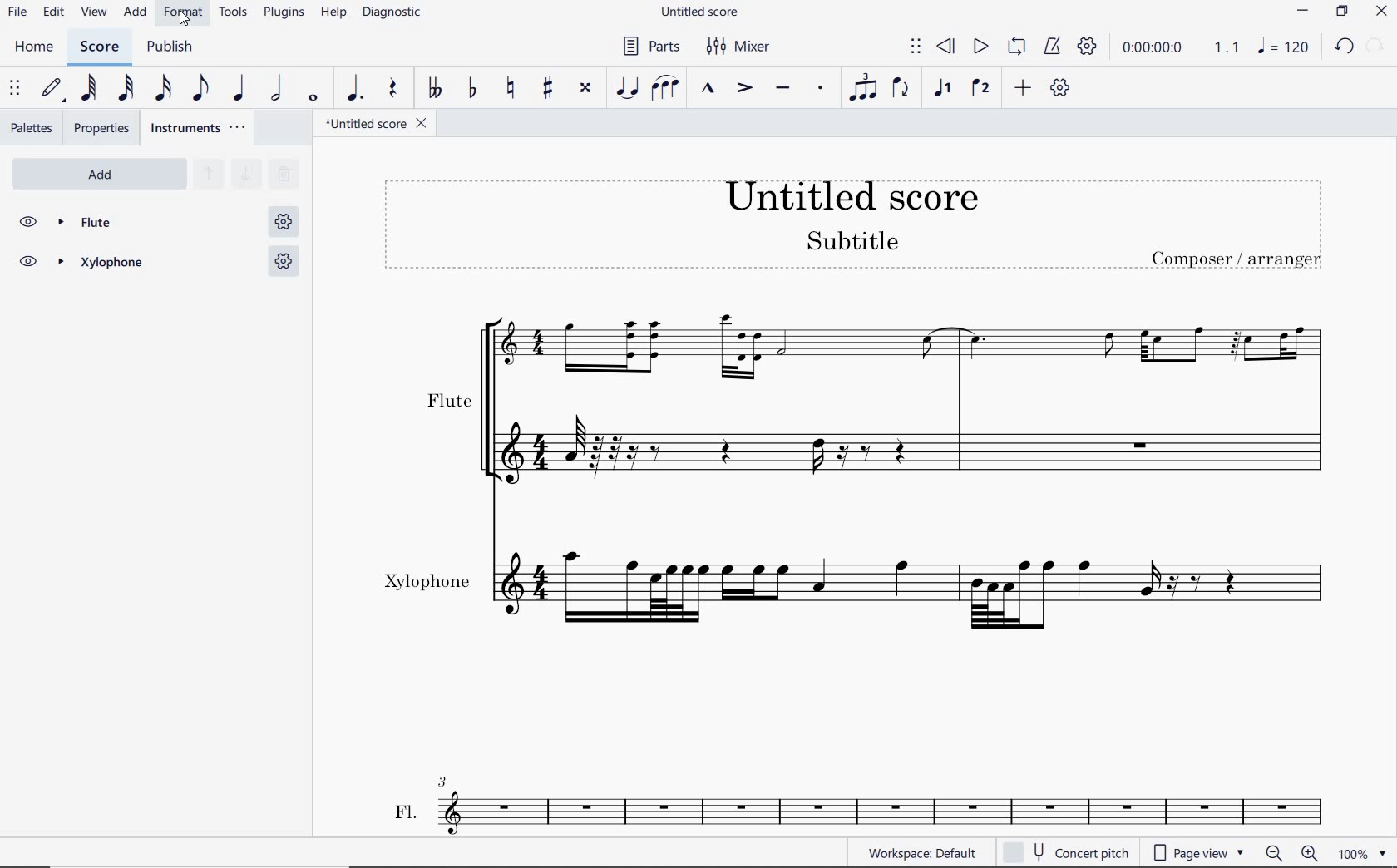 The width and height of the screenshot is (1397, 868). What do you see at coordinates (1364, 853) in the screenshot?
I see `ZOOM FACTOR` at bounding box center [1364, 853].